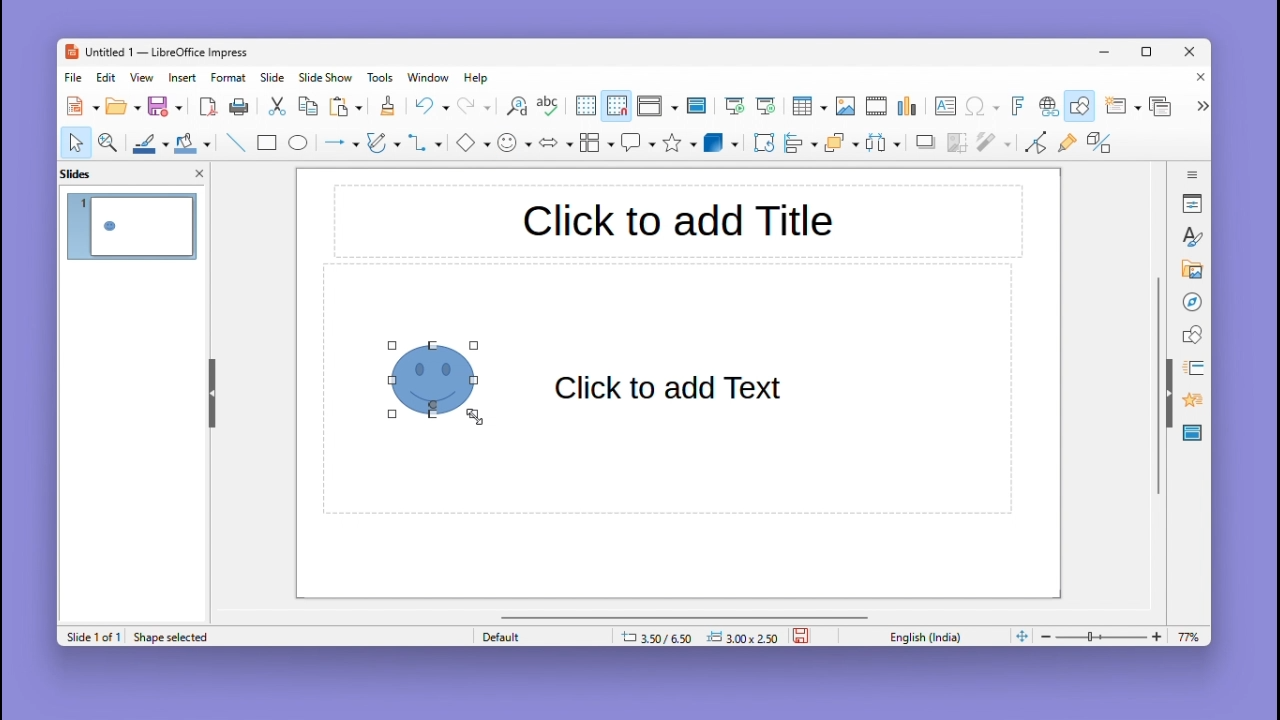 The image size is (1280, 720). Describe the element at coordinates (383, 145) in the screenshot. I see `pencil` at that location.